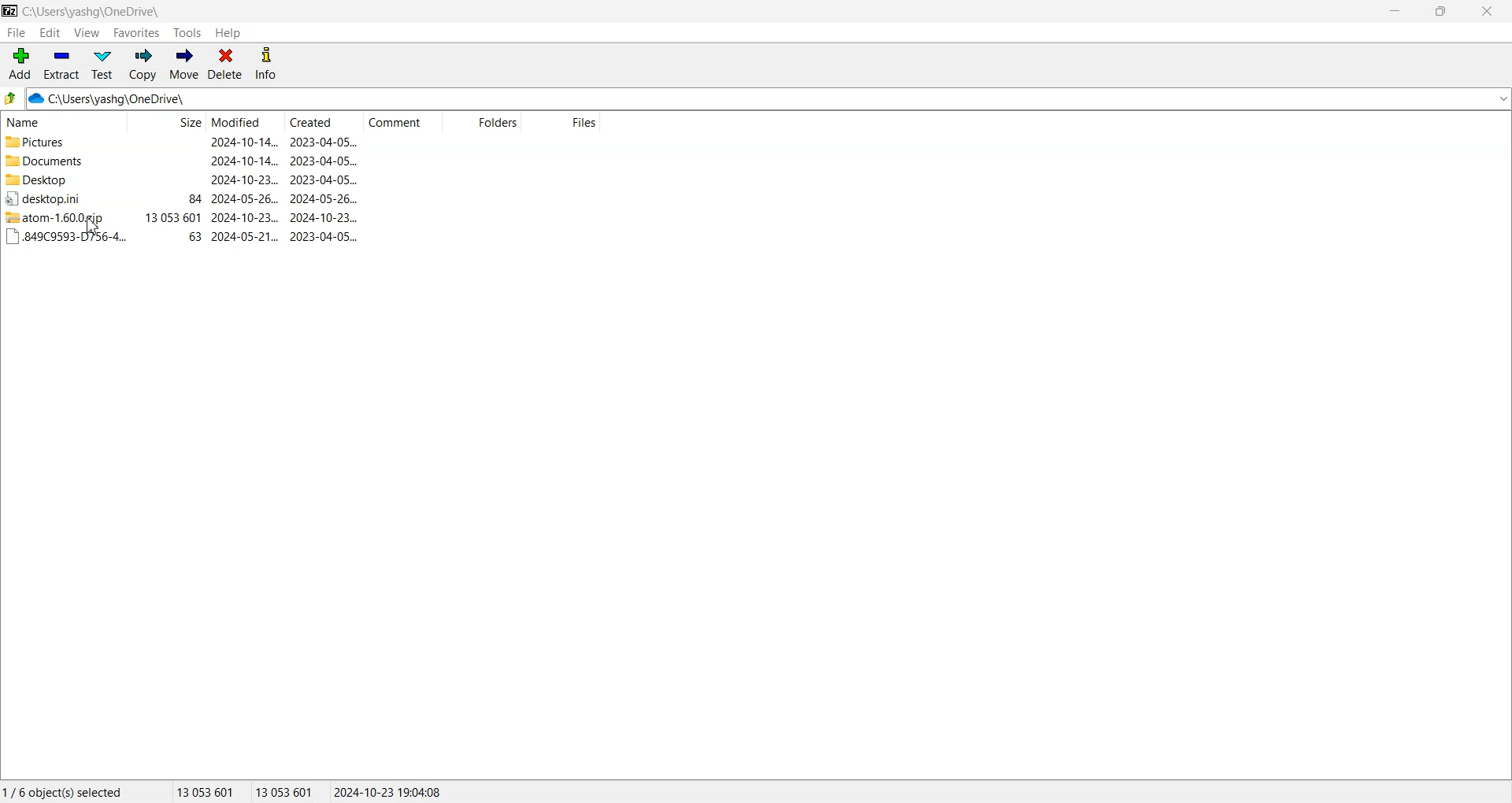 The height and width of the screenshot is (803, 1512). What do you see at coordinates (130, 99) in the screenshot?
I see `C:\Users\yashg\OneDrive\` at bounding box center [130, 99].